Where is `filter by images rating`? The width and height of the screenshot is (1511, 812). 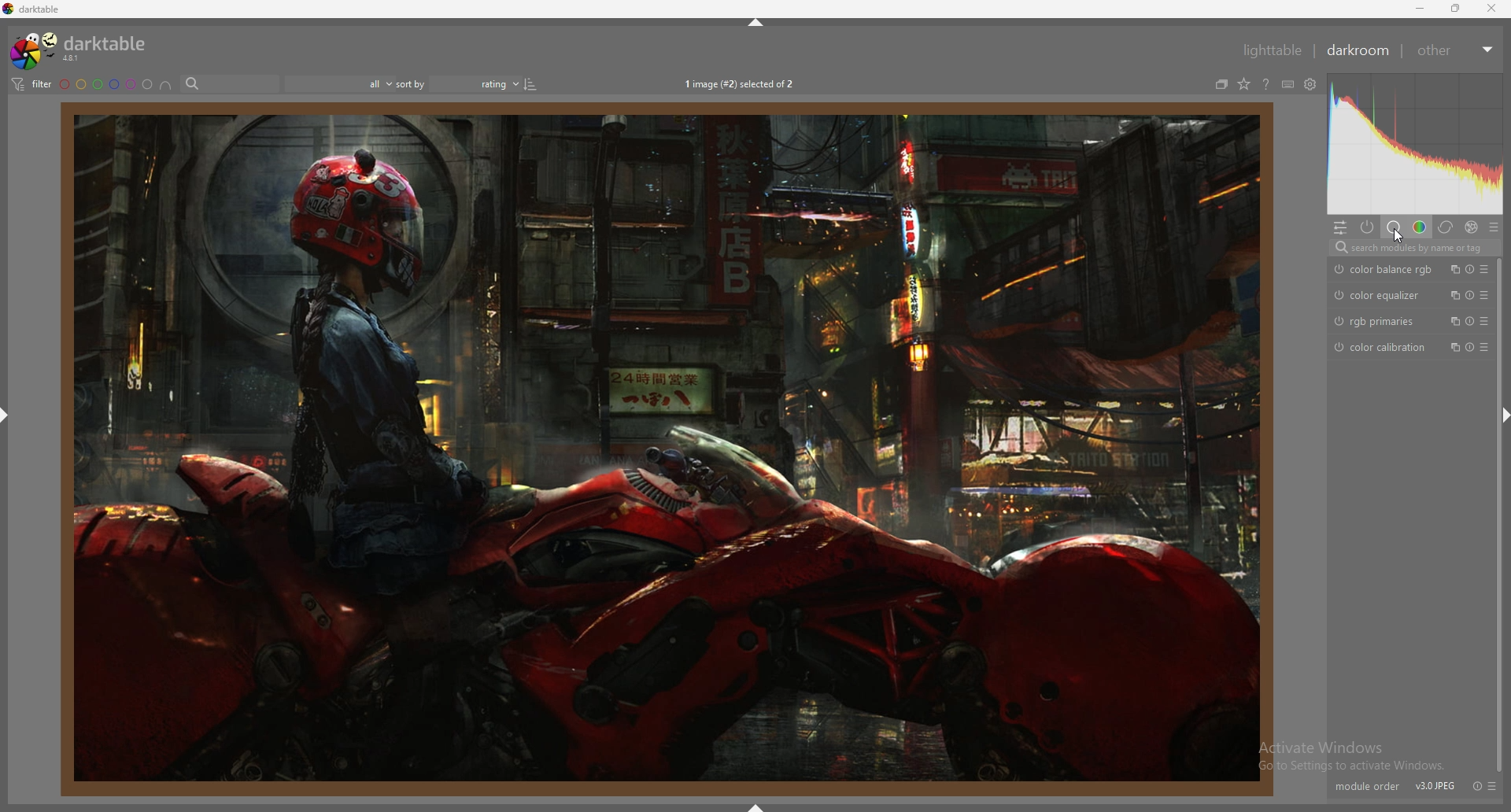
filter by images rating is located at coordinates (339, 83).